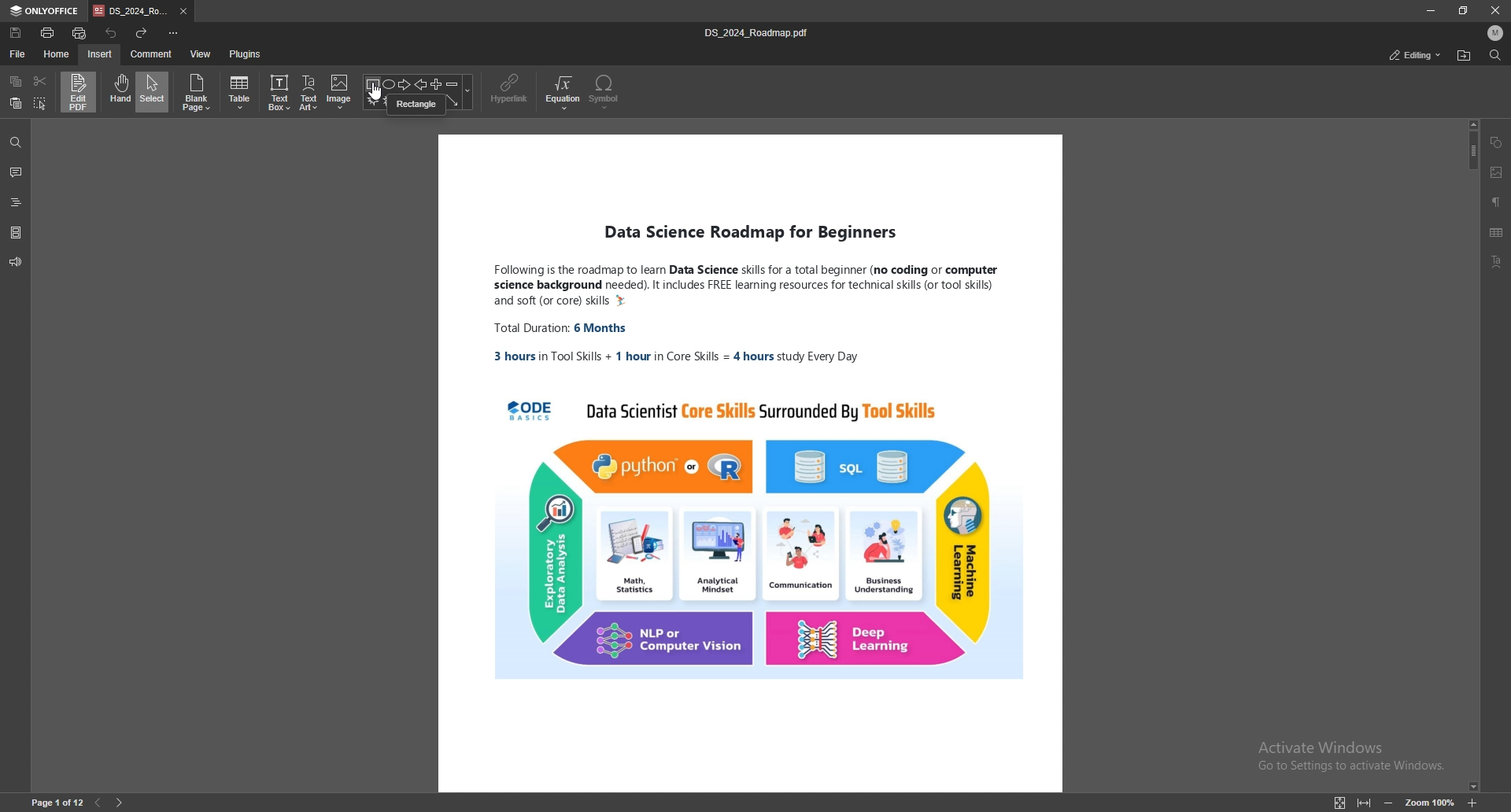 This screenshot has width=1511, height=812. I want to click on feedback, so click(16, 262).